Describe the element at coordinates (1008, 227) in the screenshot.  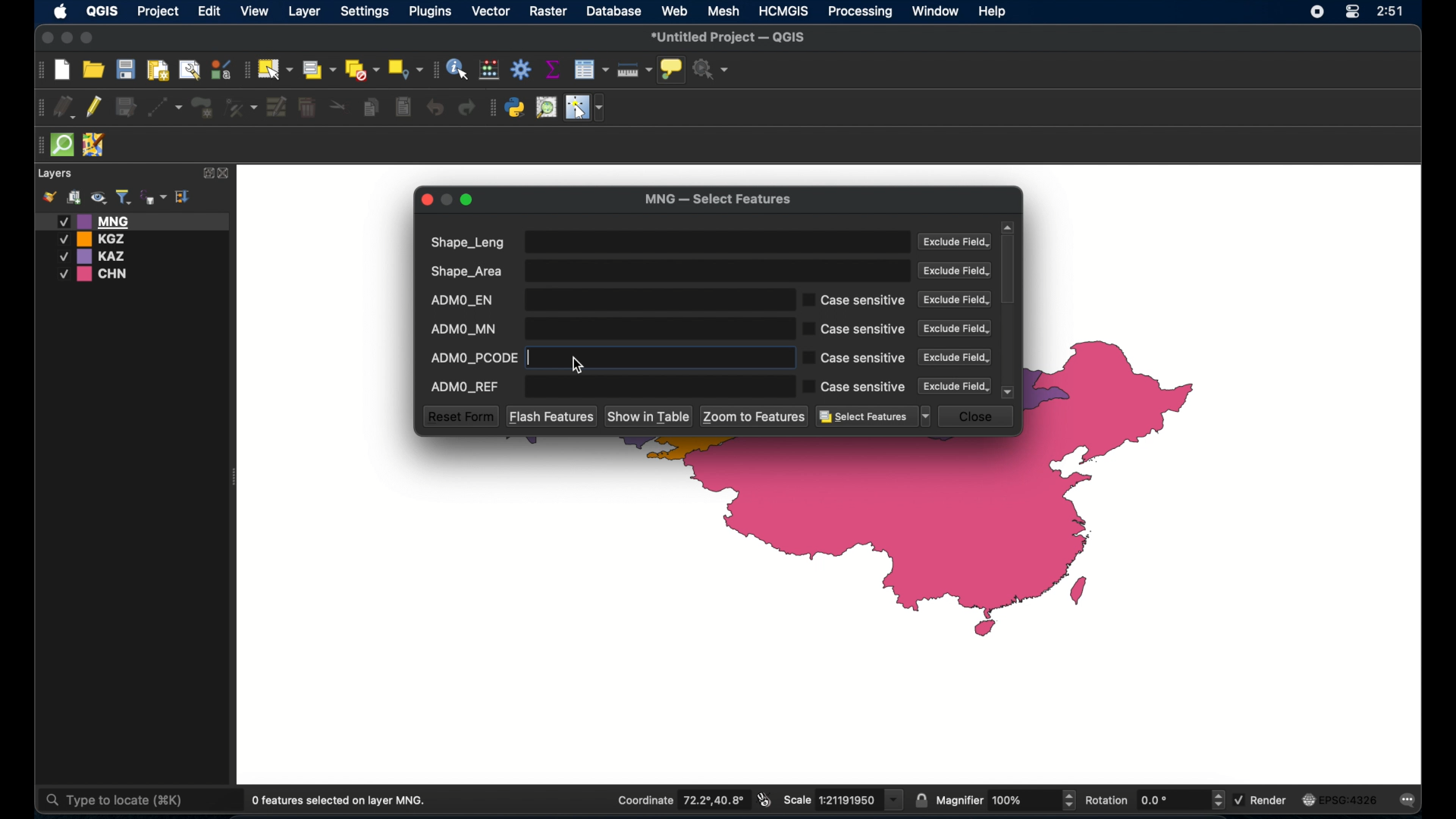
I see `scroll up arrow` at that location.